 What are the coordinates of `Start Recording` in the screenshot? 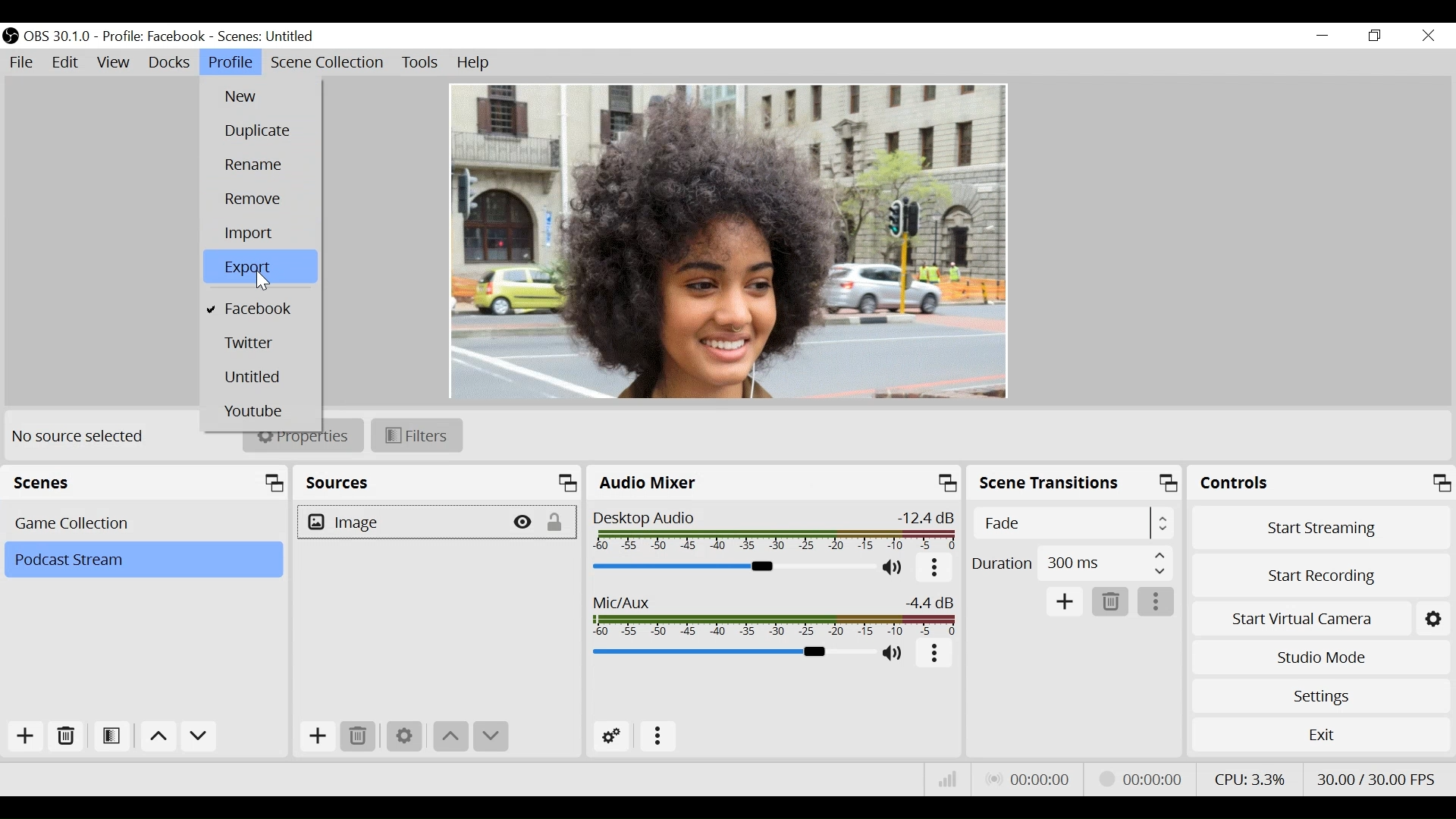 It's located at (1322, 574).